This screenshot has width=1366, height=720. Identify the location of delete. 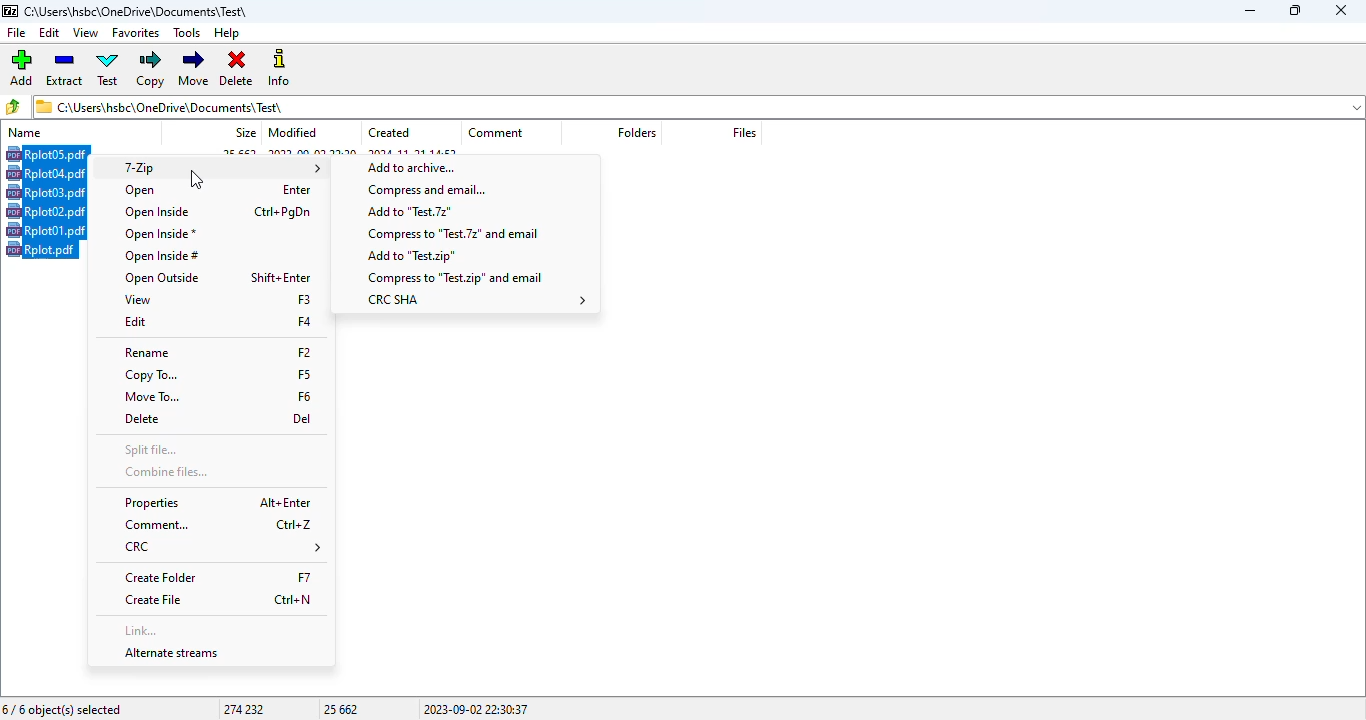
(218, 419).